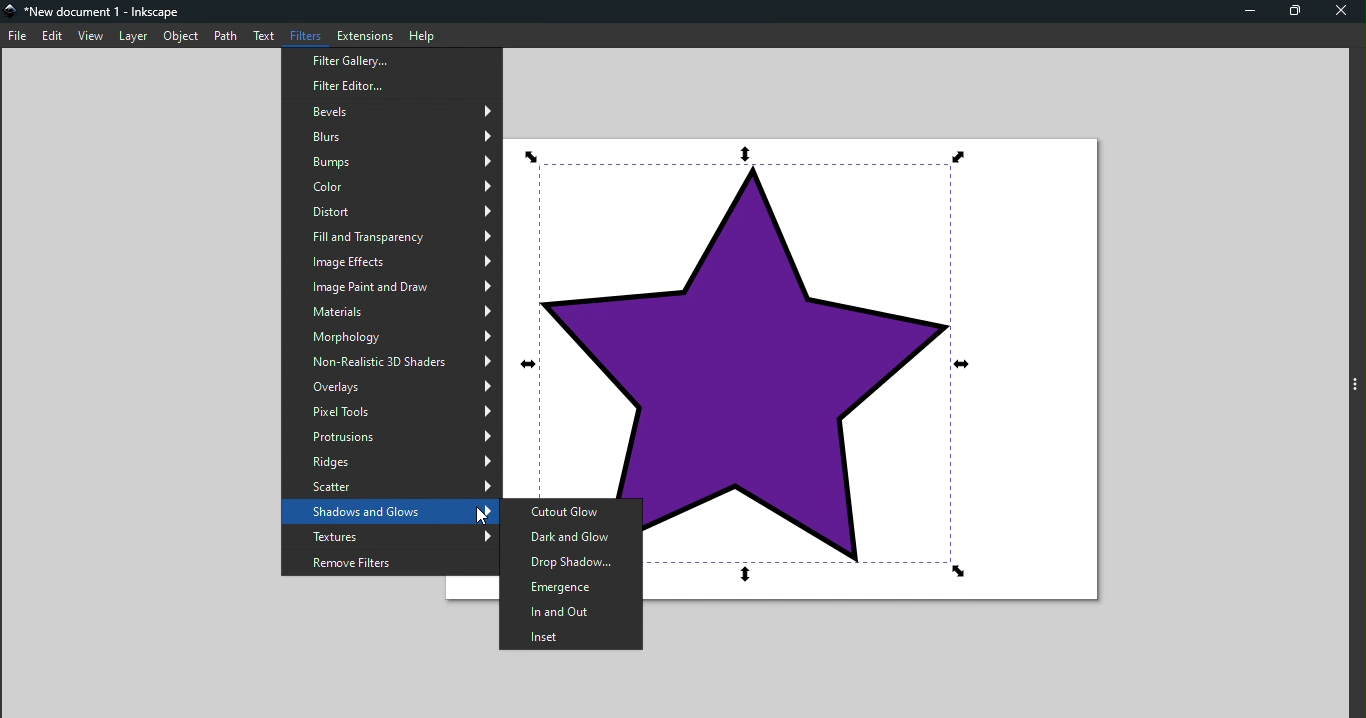  Describe the element at coordinates (393, 387) in the screenshot. I see `Overlays` at that location.